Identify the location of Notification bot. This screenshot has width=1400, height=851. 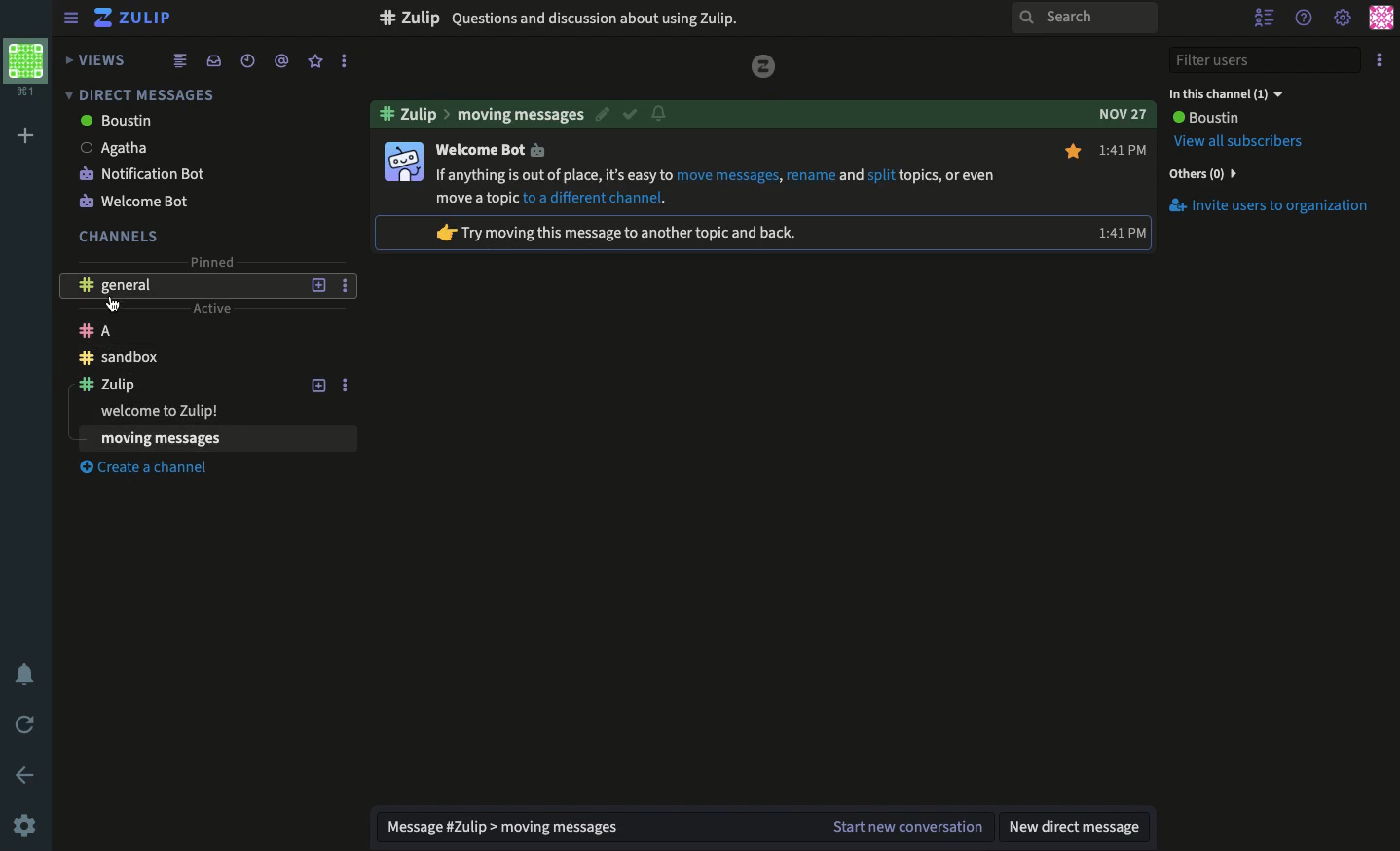
(187, 172).